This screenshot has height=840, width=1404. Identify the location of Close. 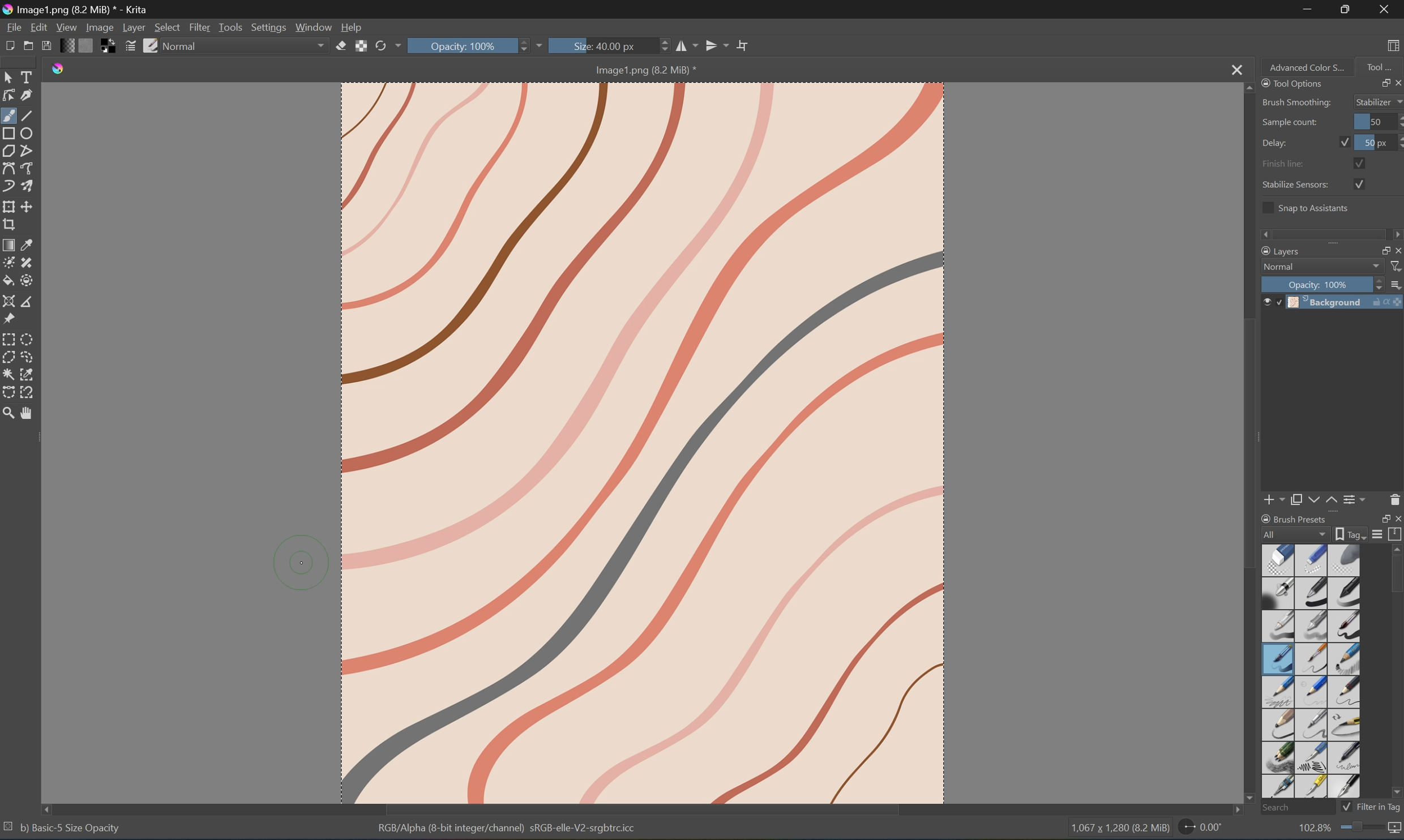
(1395, 83).